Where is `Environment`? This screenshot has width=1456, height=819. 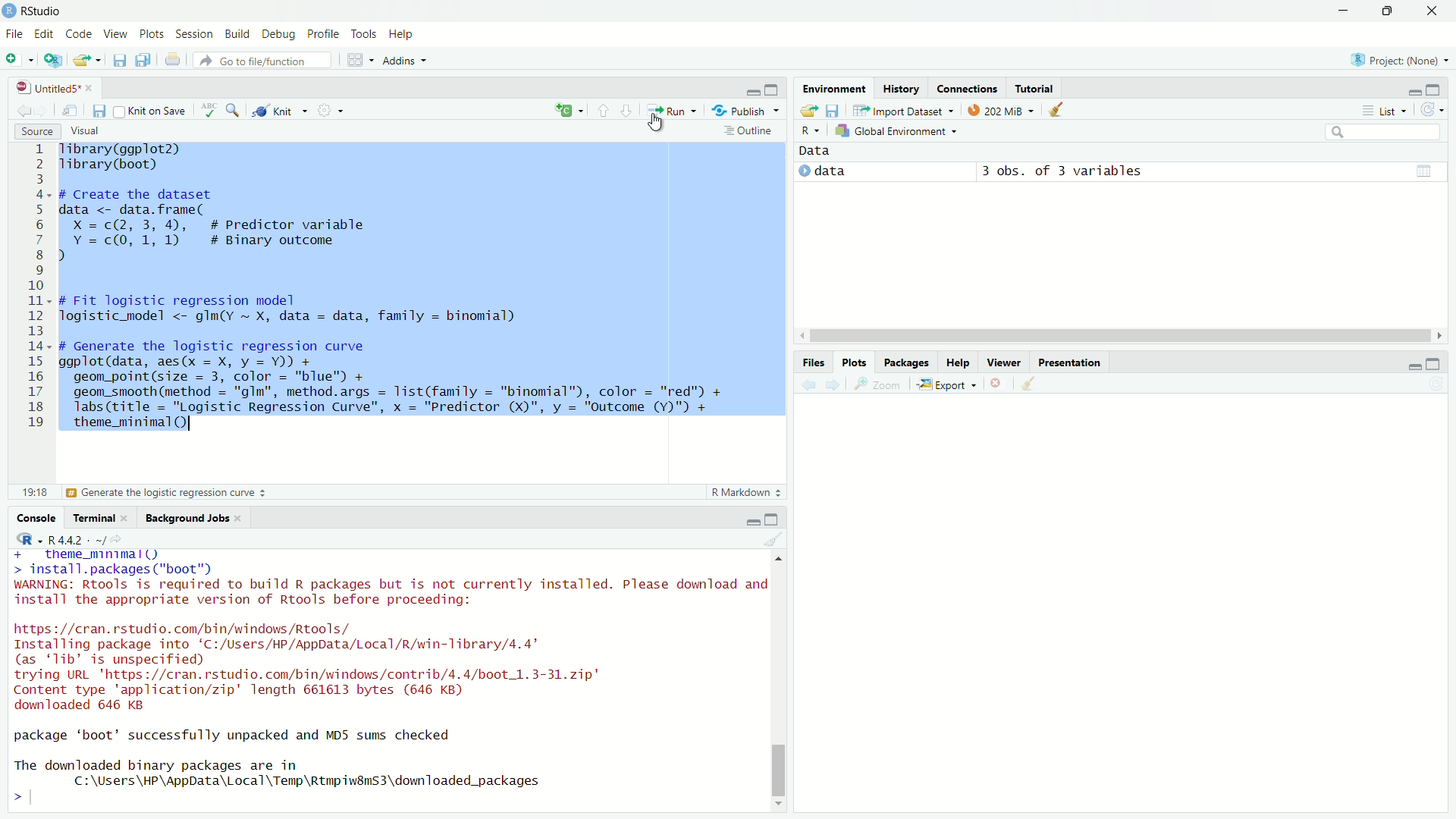 Environment is located at coordinates (834, 87).